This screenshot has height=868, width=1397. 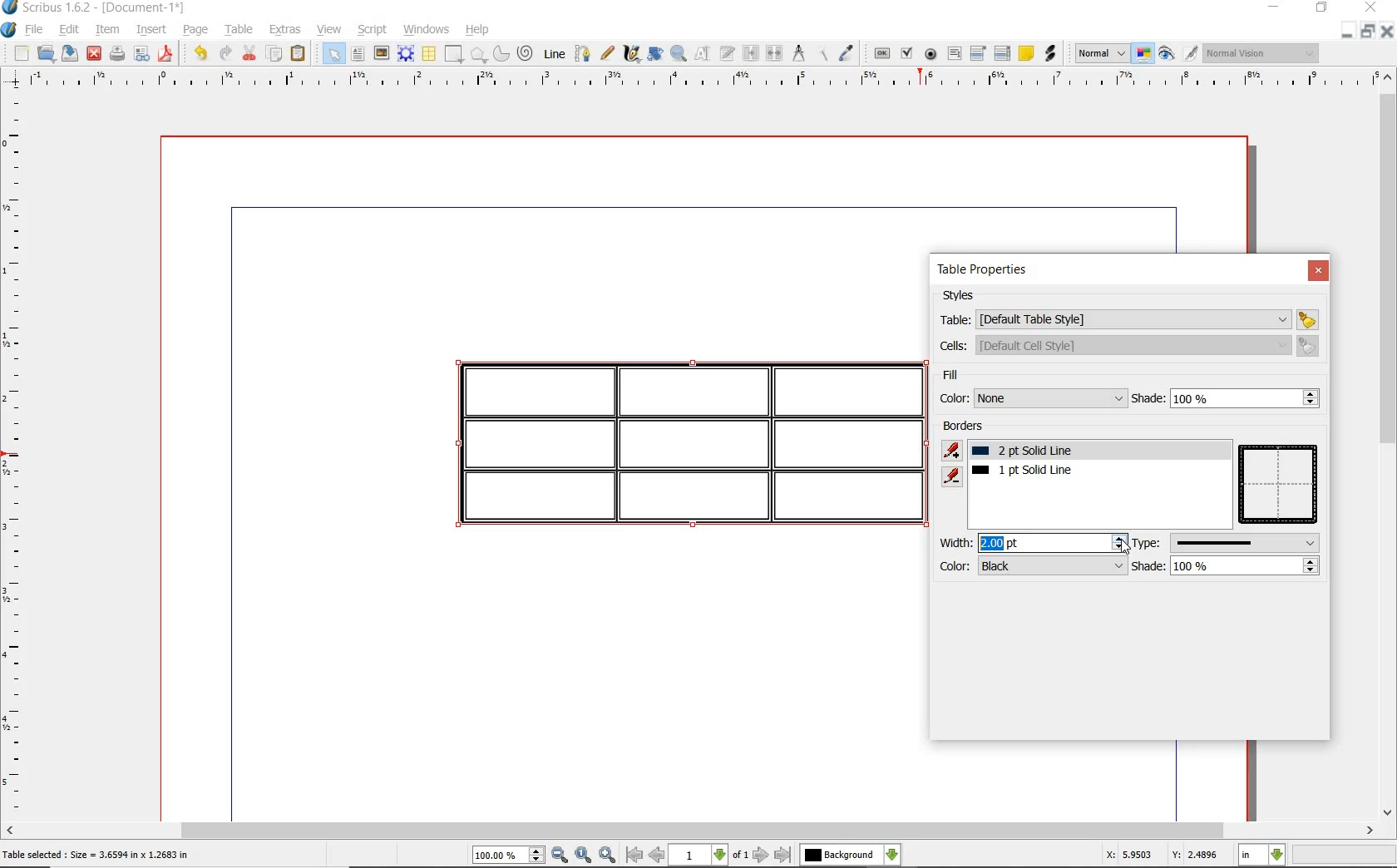 I want to click on table, so click(x=429, y=55).